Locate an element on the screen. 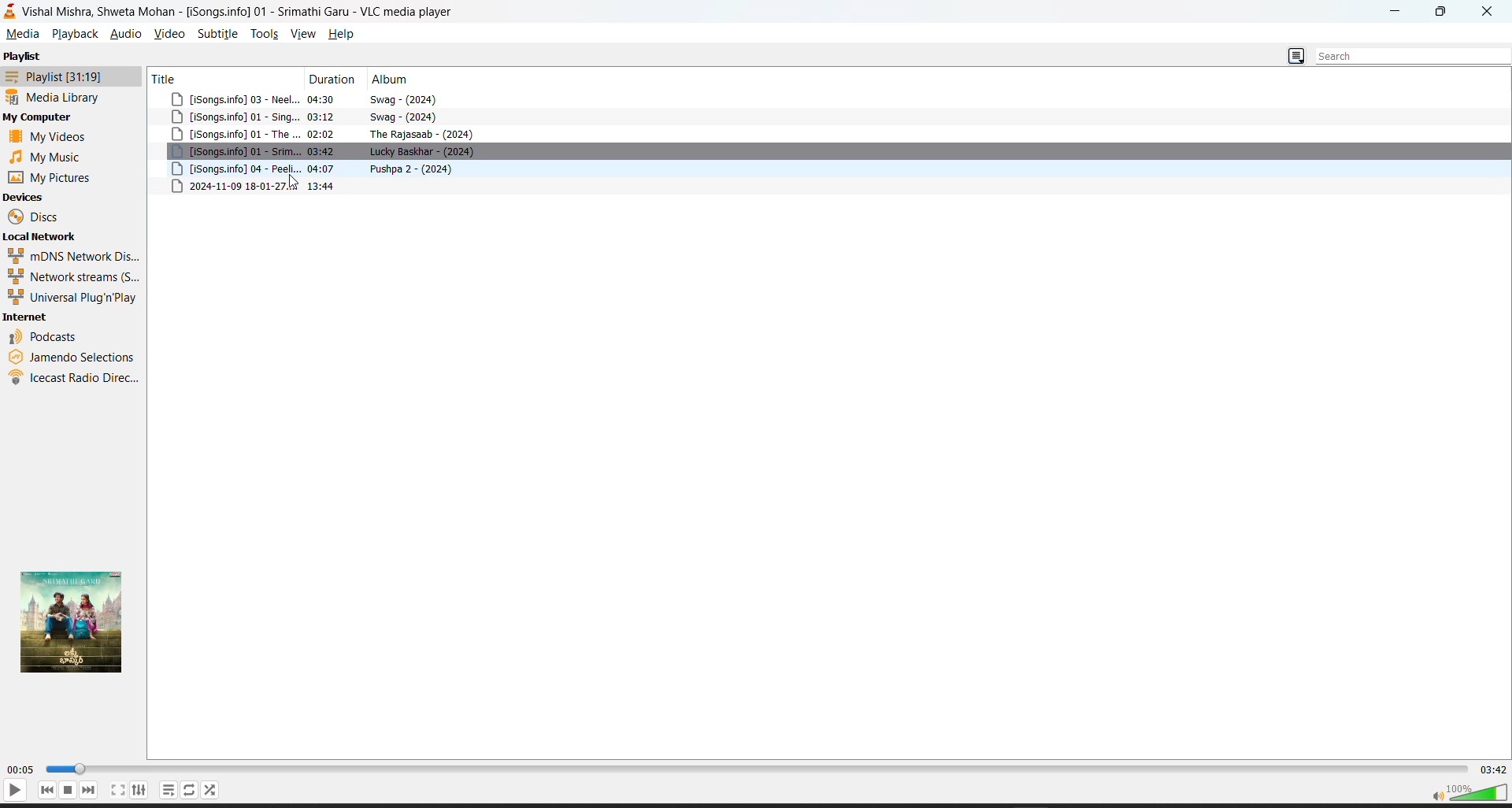 This screenshot has width=1512, height=808. lucky baskhar-2024 is located at coordinates (423, 151).